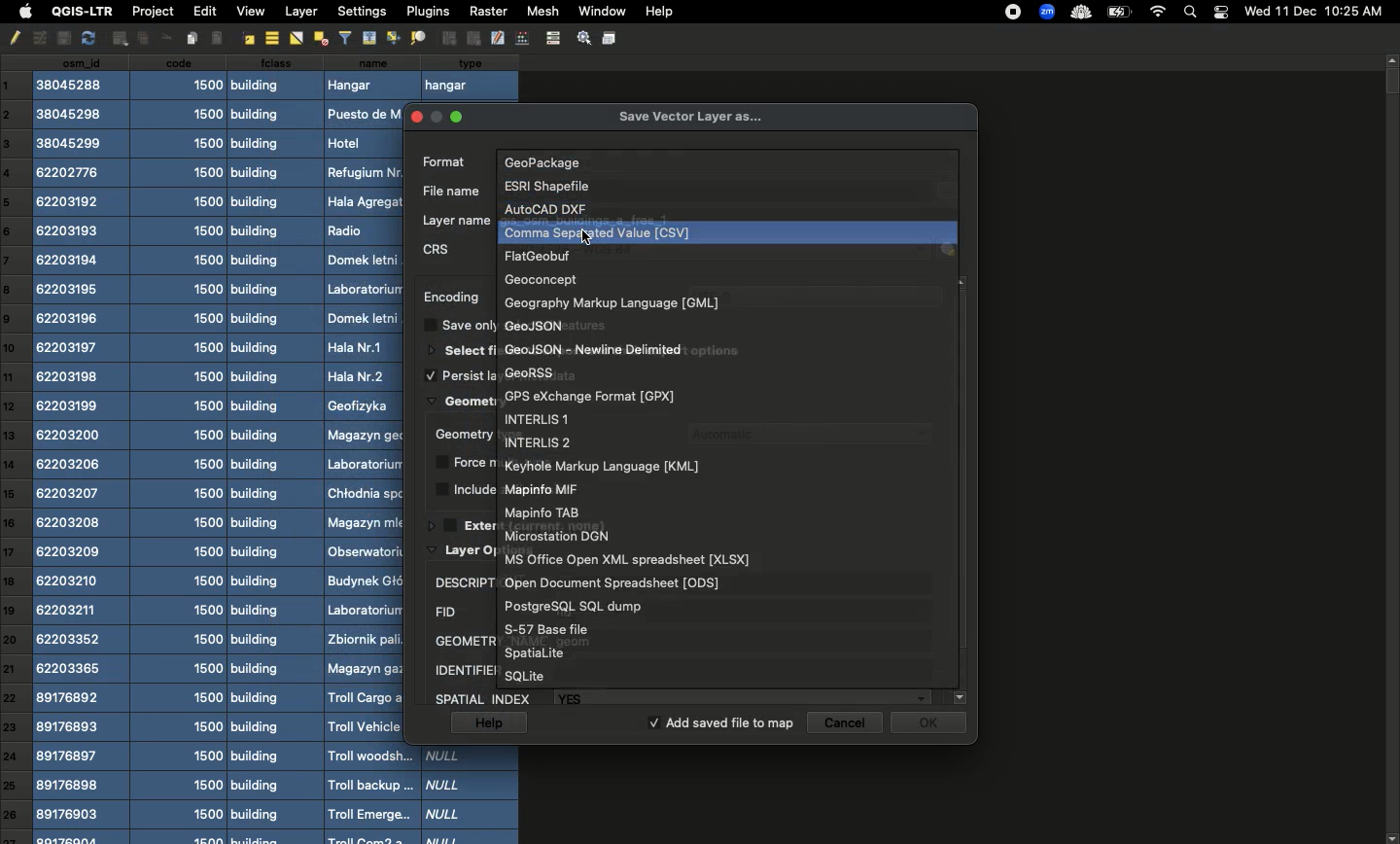  Describe the element at coordinates (82, 450) in the screenshot. I see `csn_id` at that location.